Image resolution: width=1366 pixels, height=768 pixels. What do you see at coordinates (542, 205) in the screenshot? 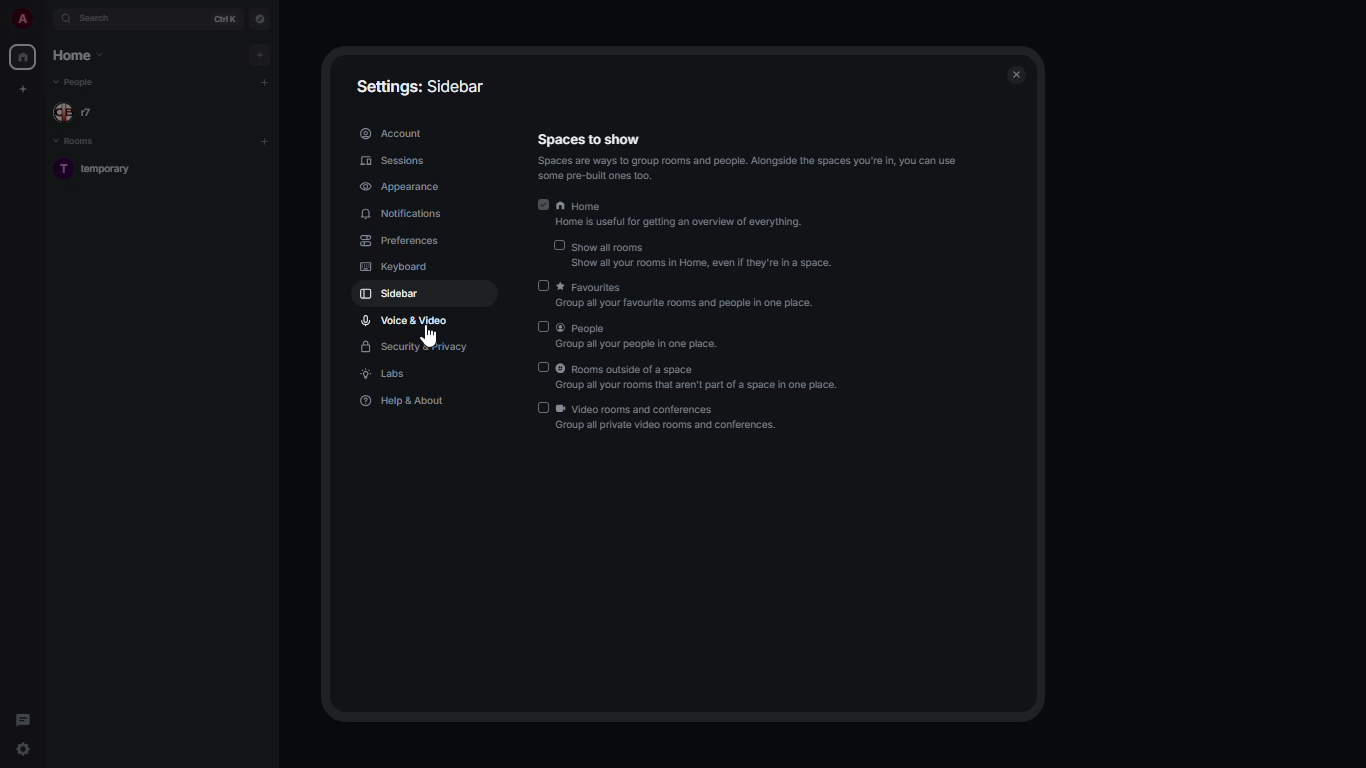
I see `enabled` at bounding box center [542, 205].